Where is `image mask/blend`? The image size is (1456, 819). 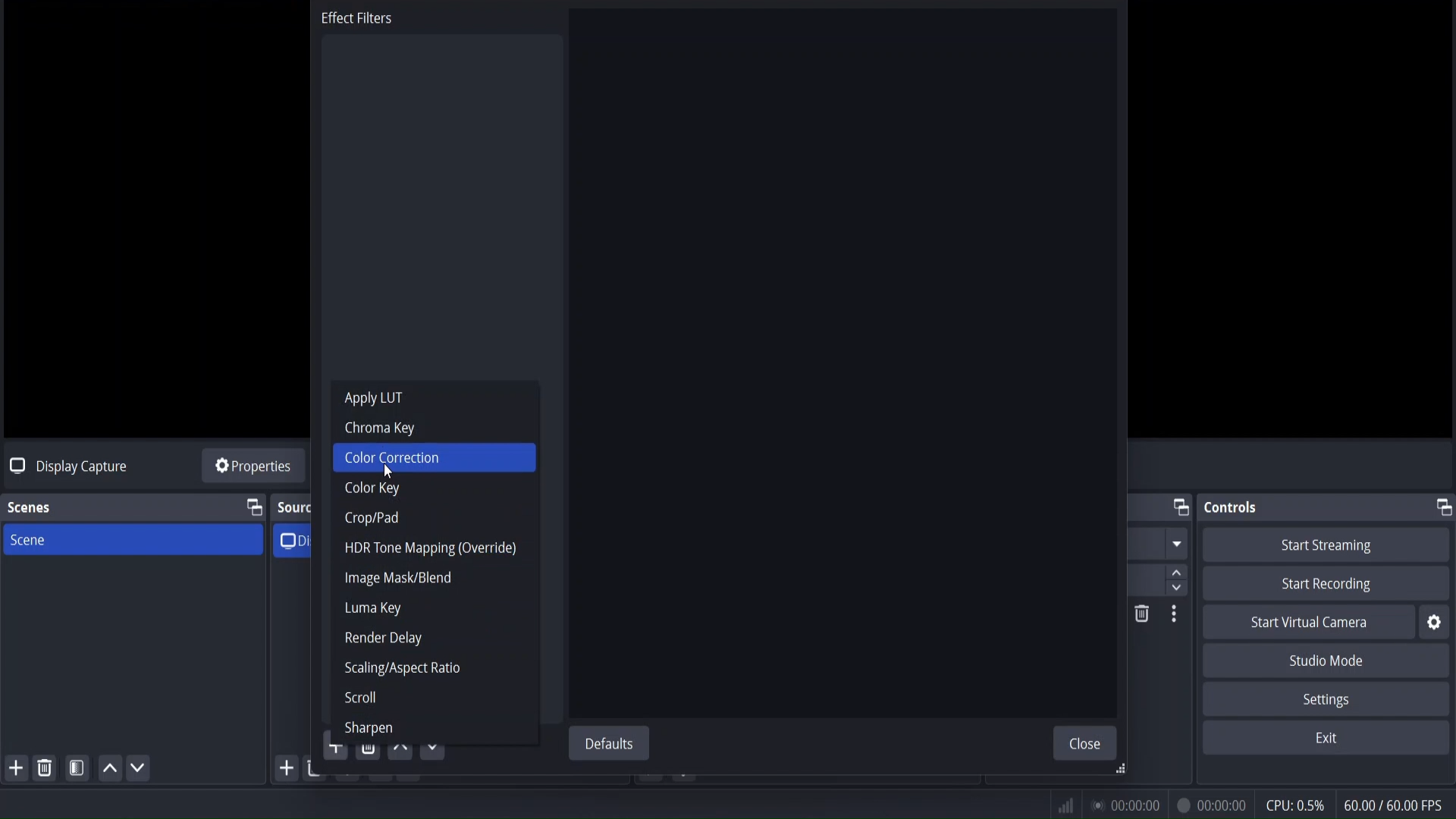 image mask/blend is located at coordinates (398, 578).